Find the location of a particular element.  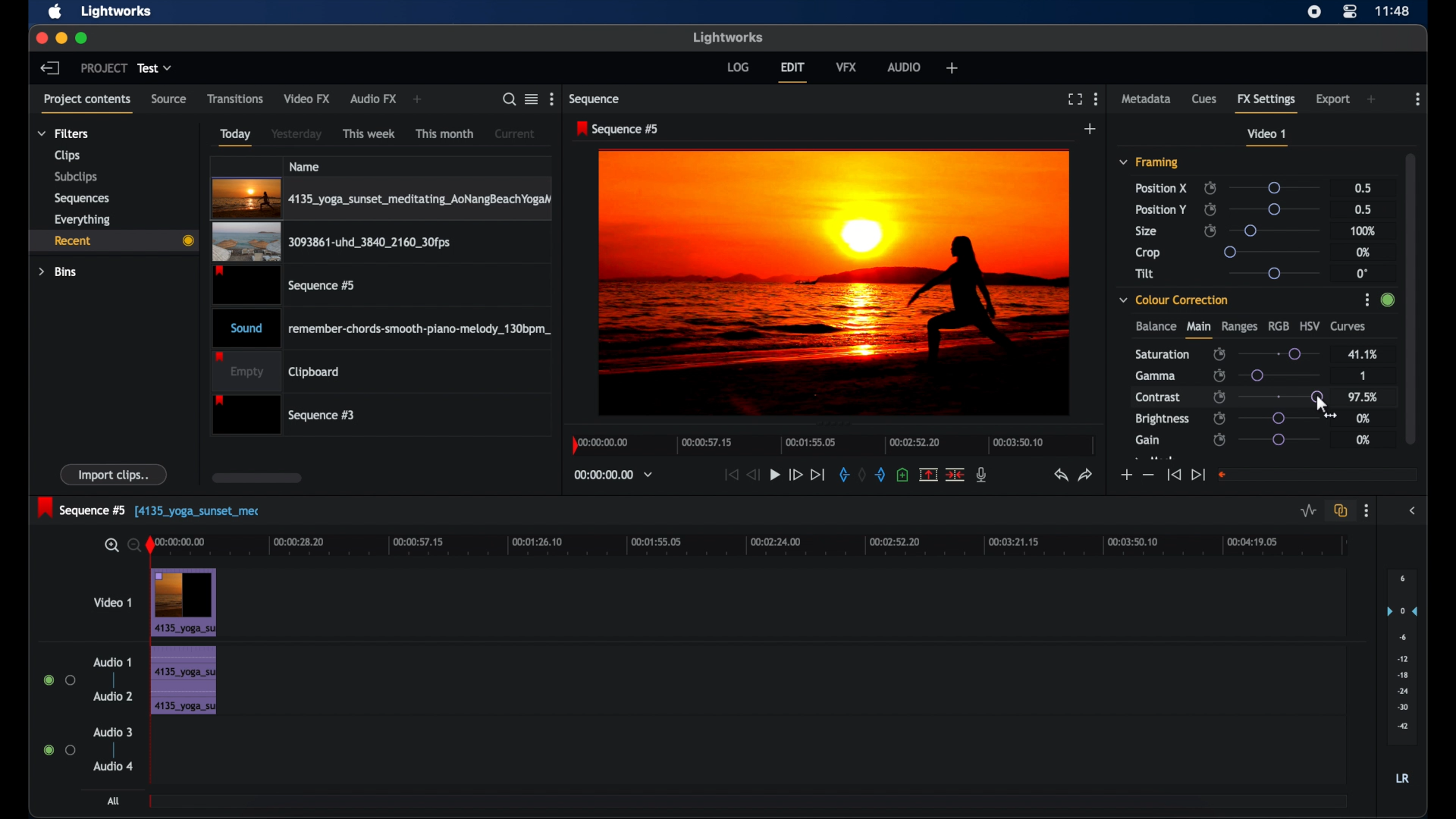

empty is located at coordinates (276, 371).